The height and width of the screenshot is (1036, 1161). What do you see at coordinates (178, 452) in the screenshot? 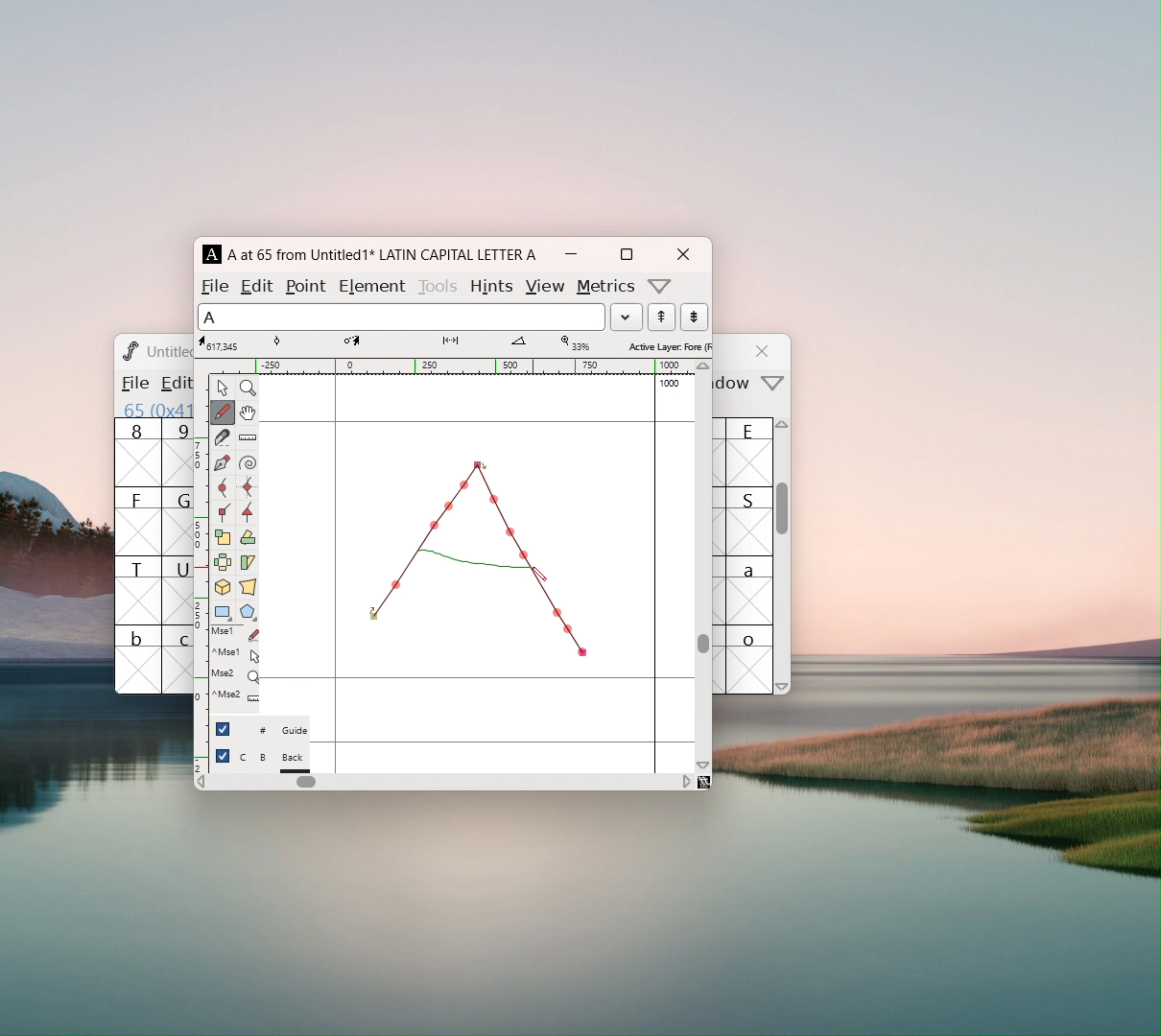
I see `9` at bounding box center [178, 452].